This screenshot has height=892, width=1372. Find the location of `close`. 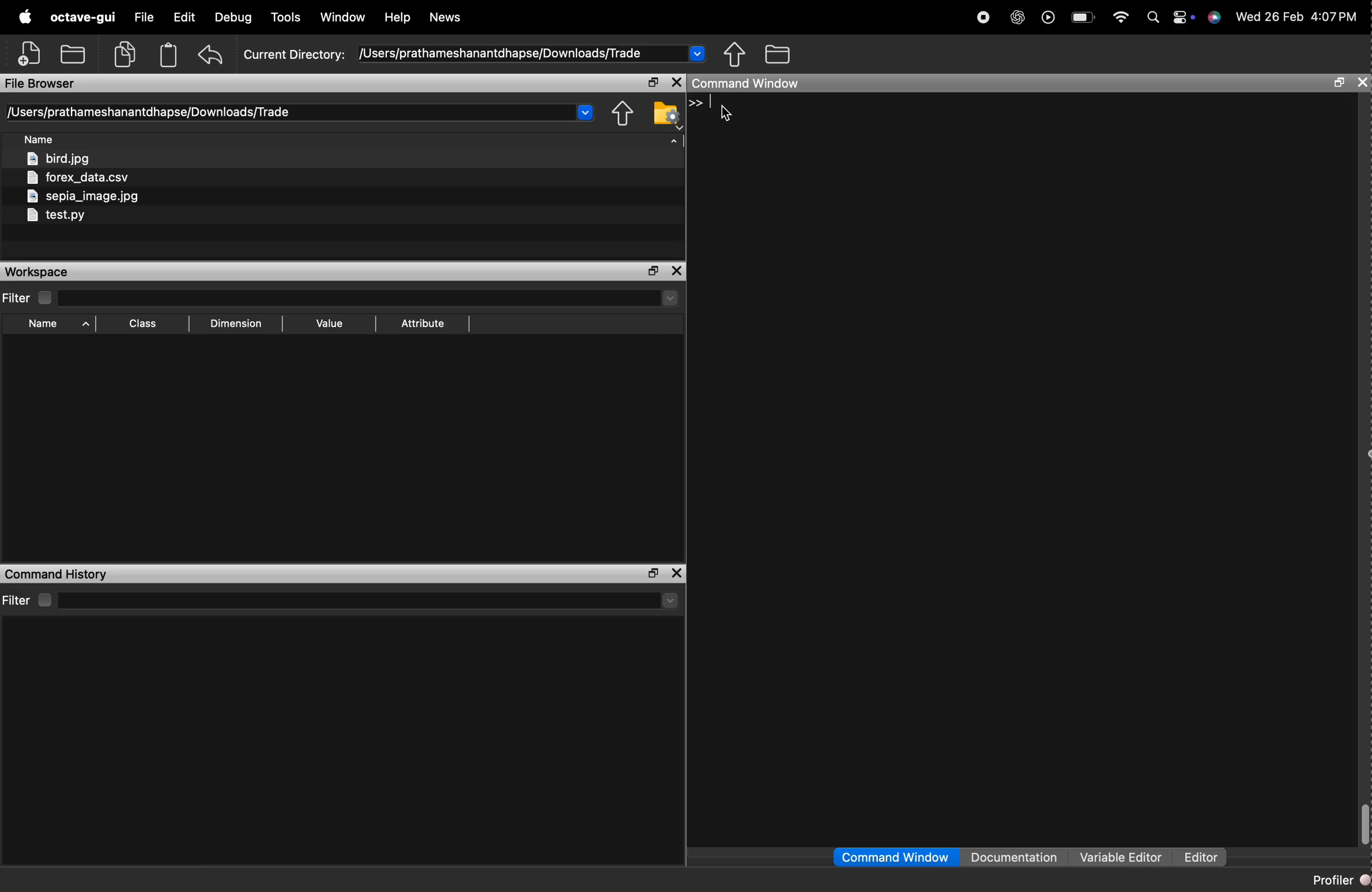

close is located at coordinates (678, 82).